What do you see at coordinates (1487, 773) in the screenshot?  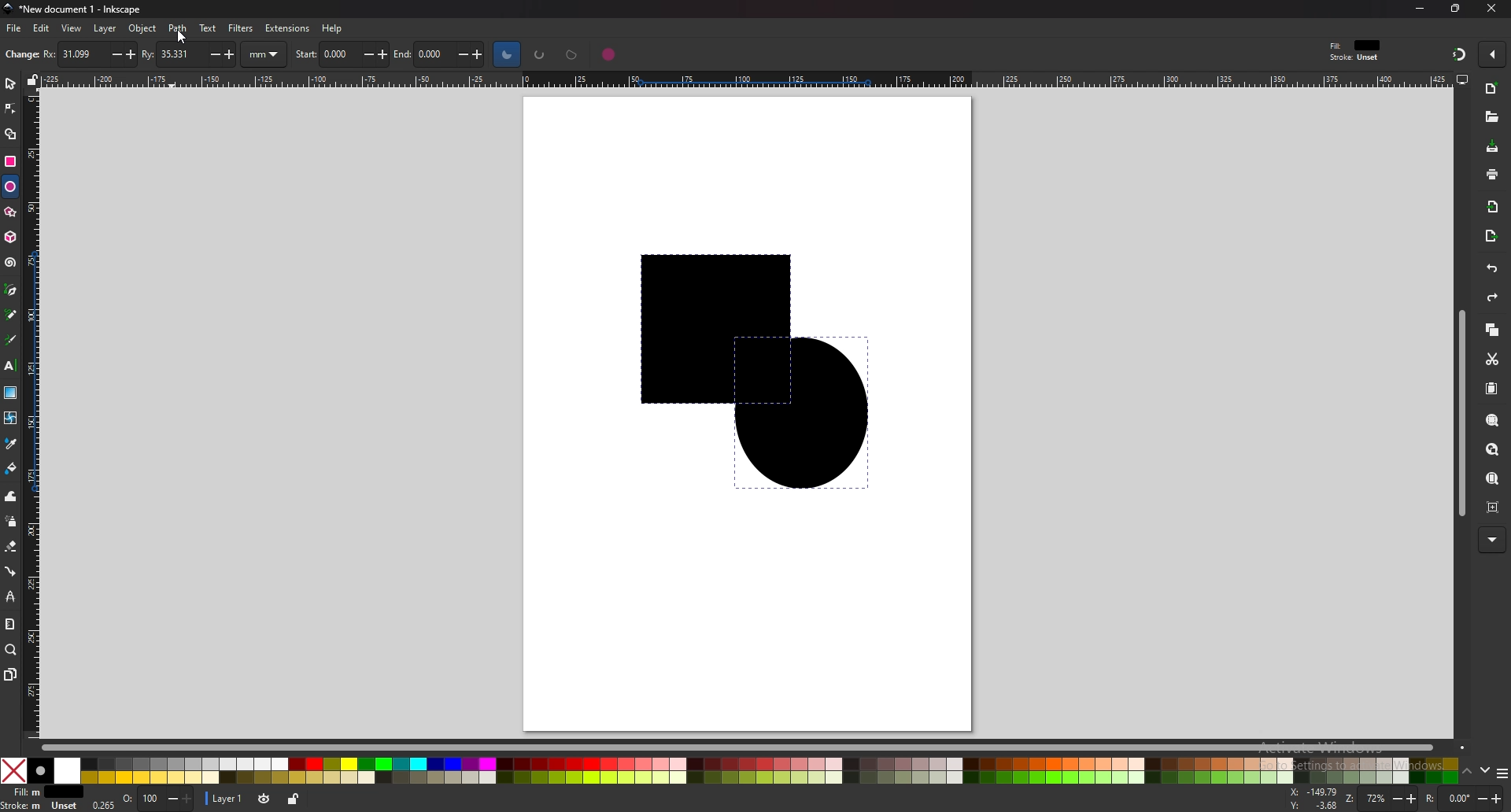 I see `down` at bounding box center [1487, 773].